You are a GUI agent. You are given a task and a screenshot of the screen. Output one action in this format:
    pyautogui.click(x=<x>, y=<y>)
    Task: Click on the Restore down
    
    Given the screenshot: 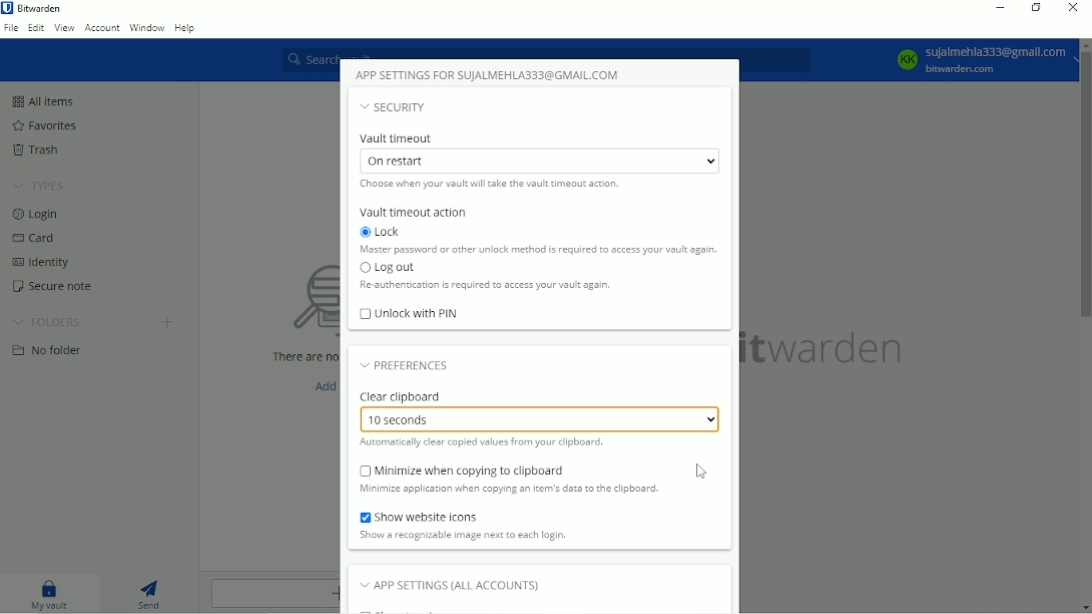 What is the action you would take?
    pyautogui.click(x=1036, y=7)
    